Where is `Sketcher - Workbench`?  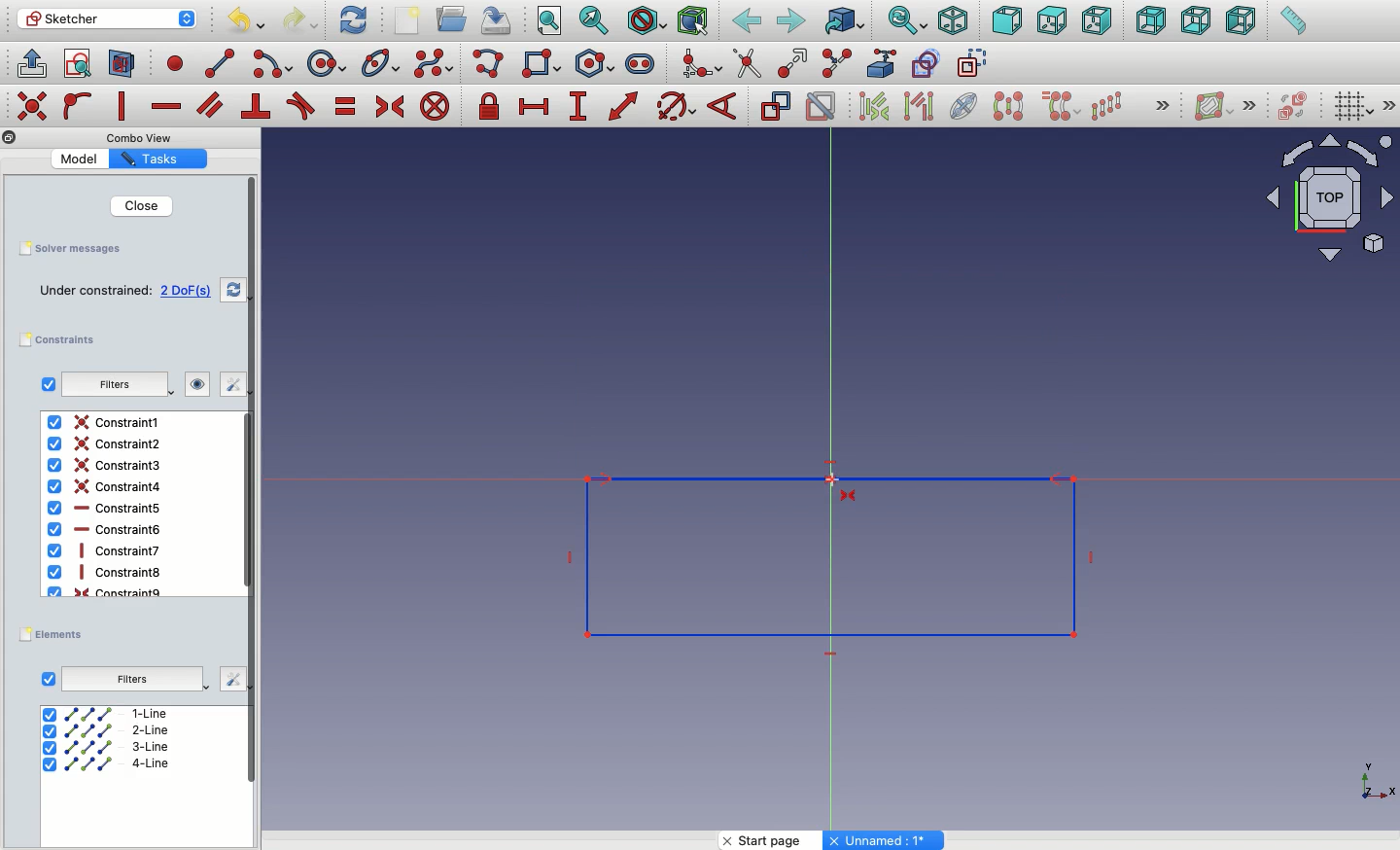
Sketcher - Workbench is located at coordinates (106, 18).